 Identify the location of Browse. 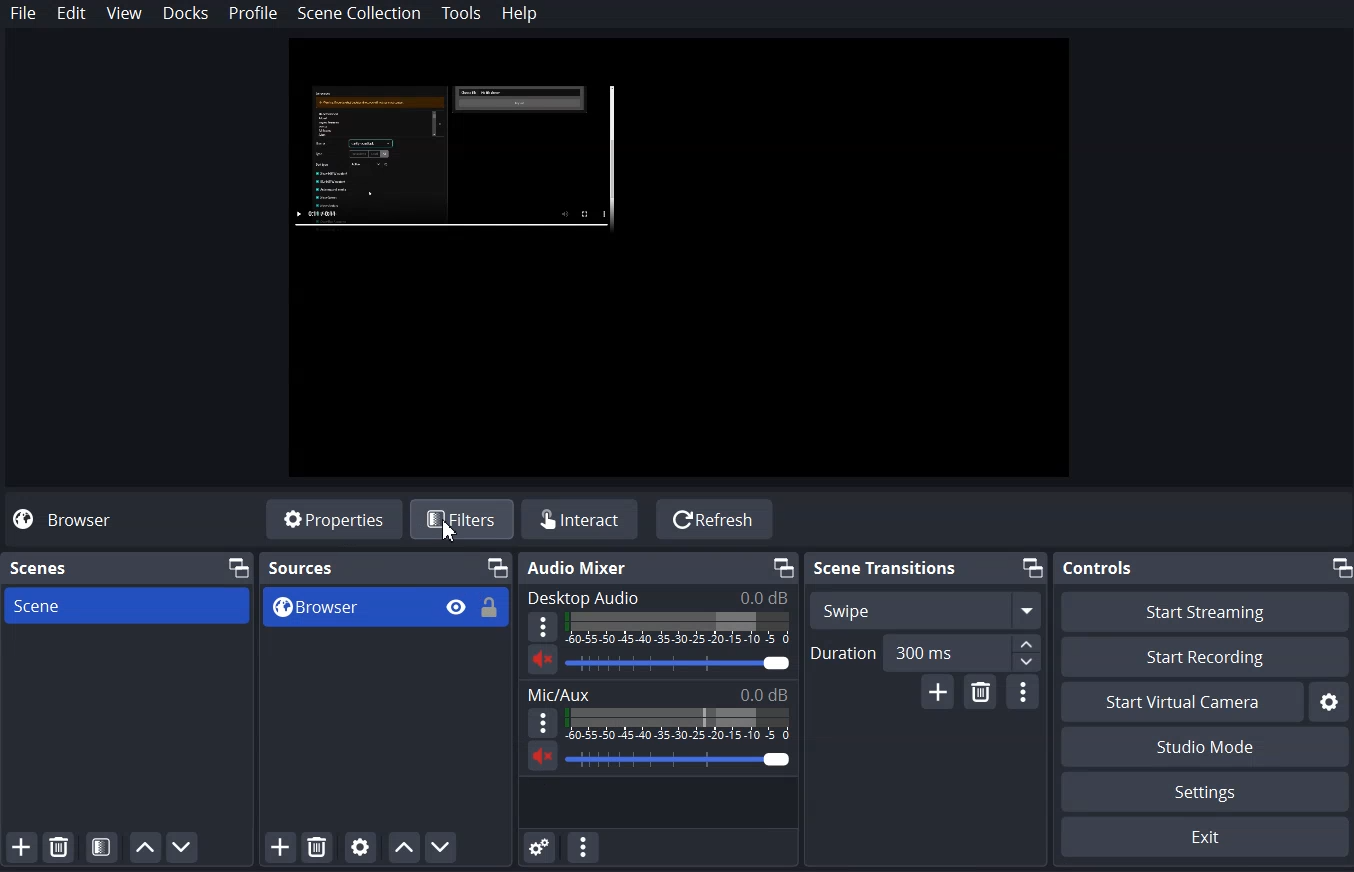
(385, 607).